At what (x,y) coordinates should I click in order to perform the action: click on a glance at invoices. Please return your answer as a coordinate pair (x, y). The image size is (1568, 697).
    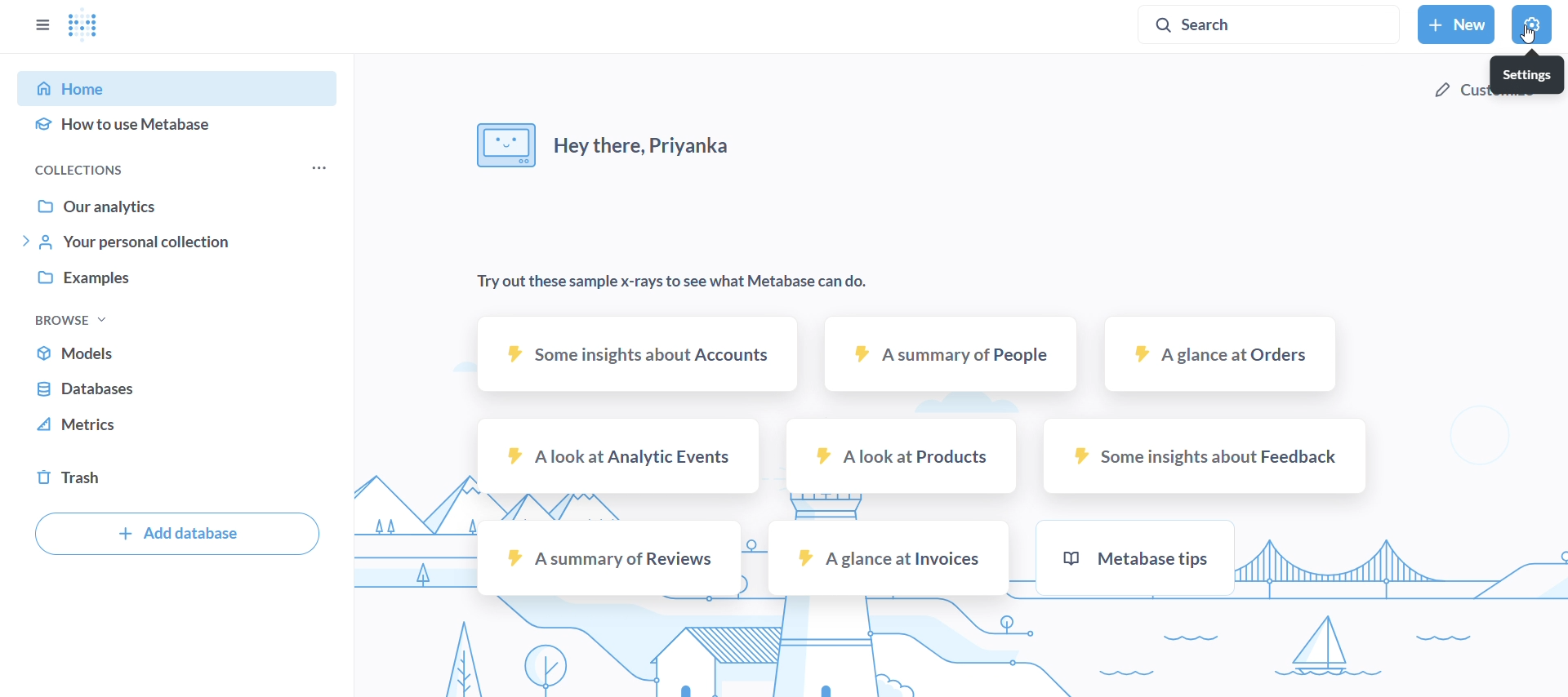
    Looking at the image, I should click on (887, 560).